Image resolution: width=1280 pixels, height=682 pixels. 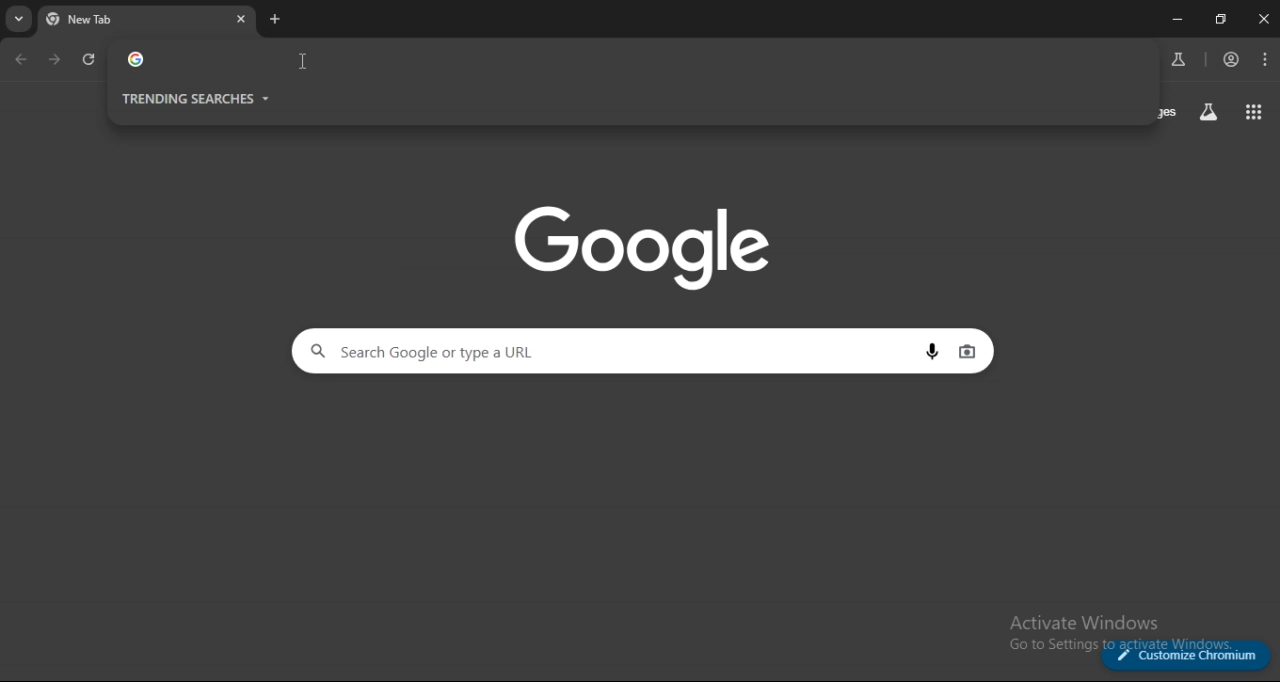 I want to click on close tab, so click(x=242, y=19).